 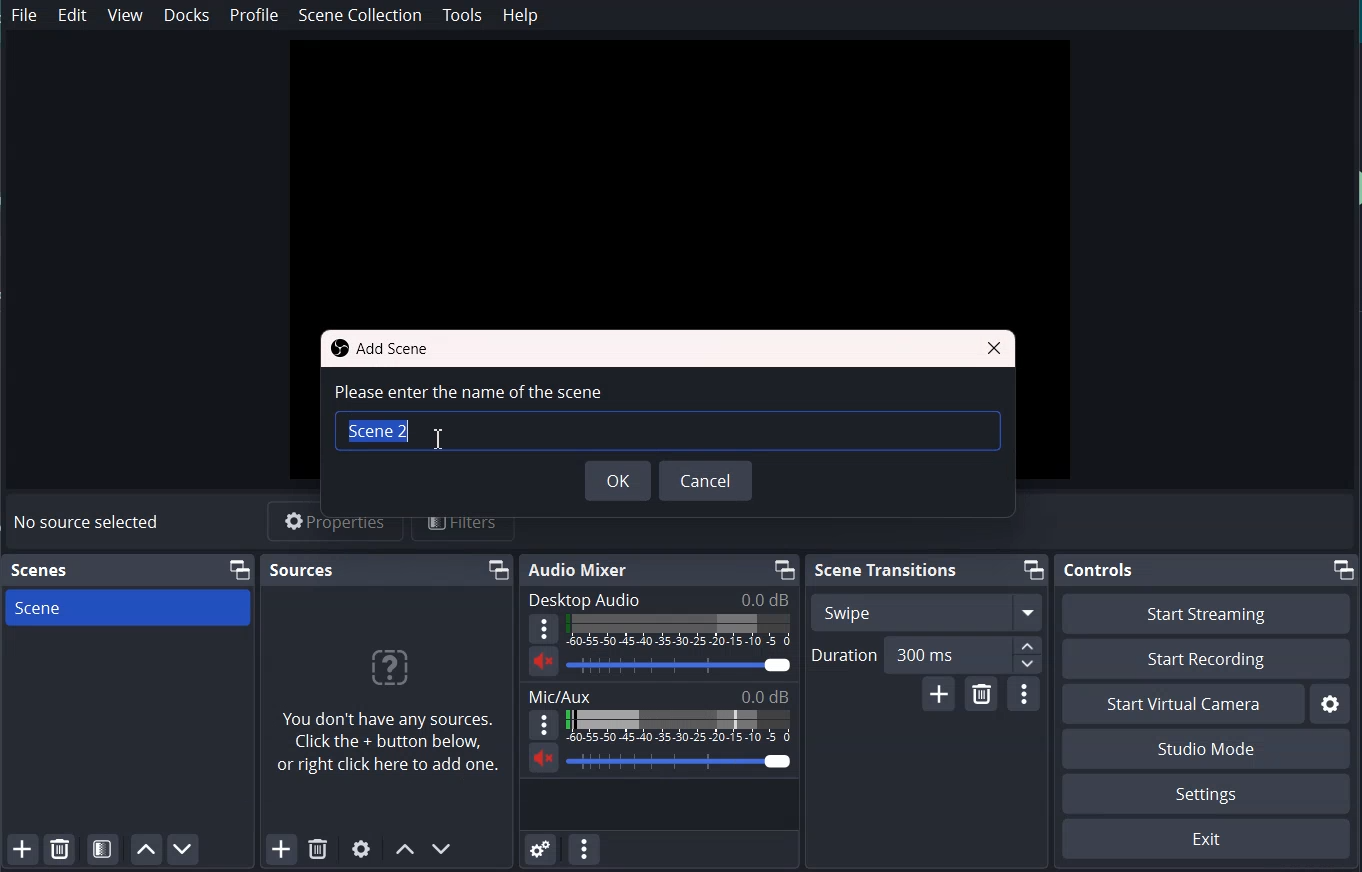 I want to click on Open Source Properties, so click(x=362, y=850).